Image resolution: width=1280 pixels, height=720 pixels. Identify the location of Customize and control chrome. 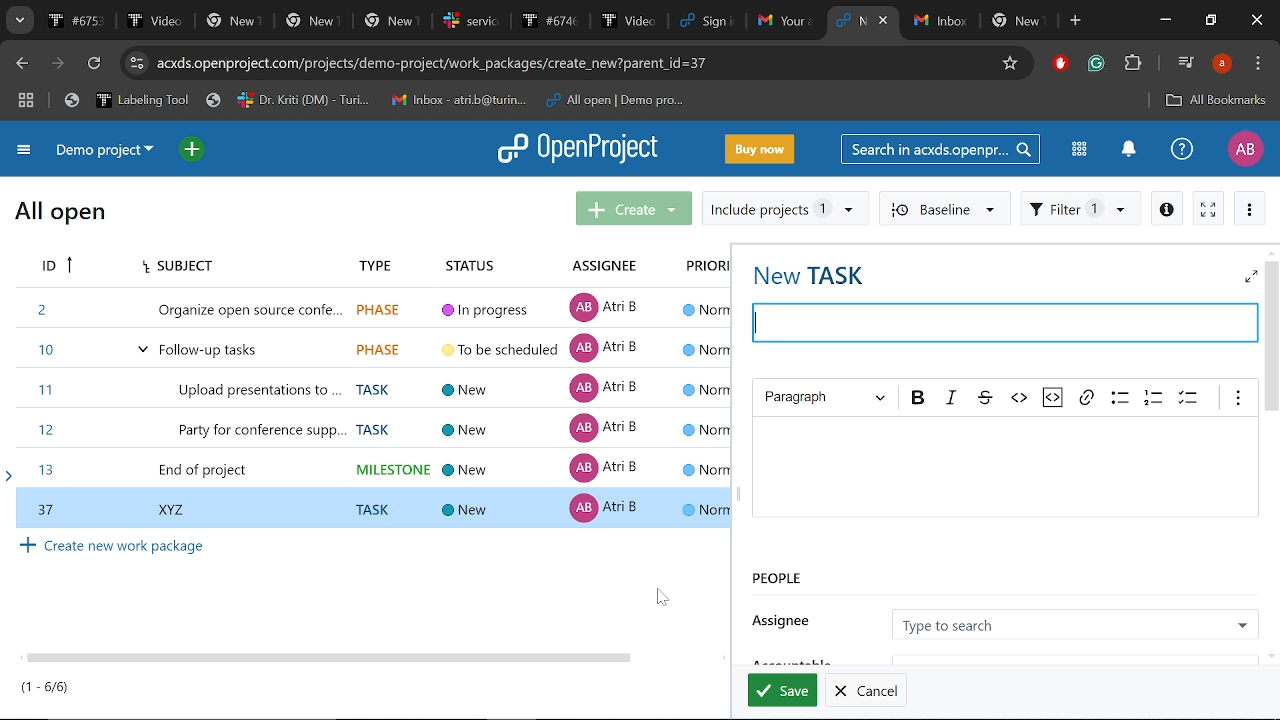
(1258, 64).